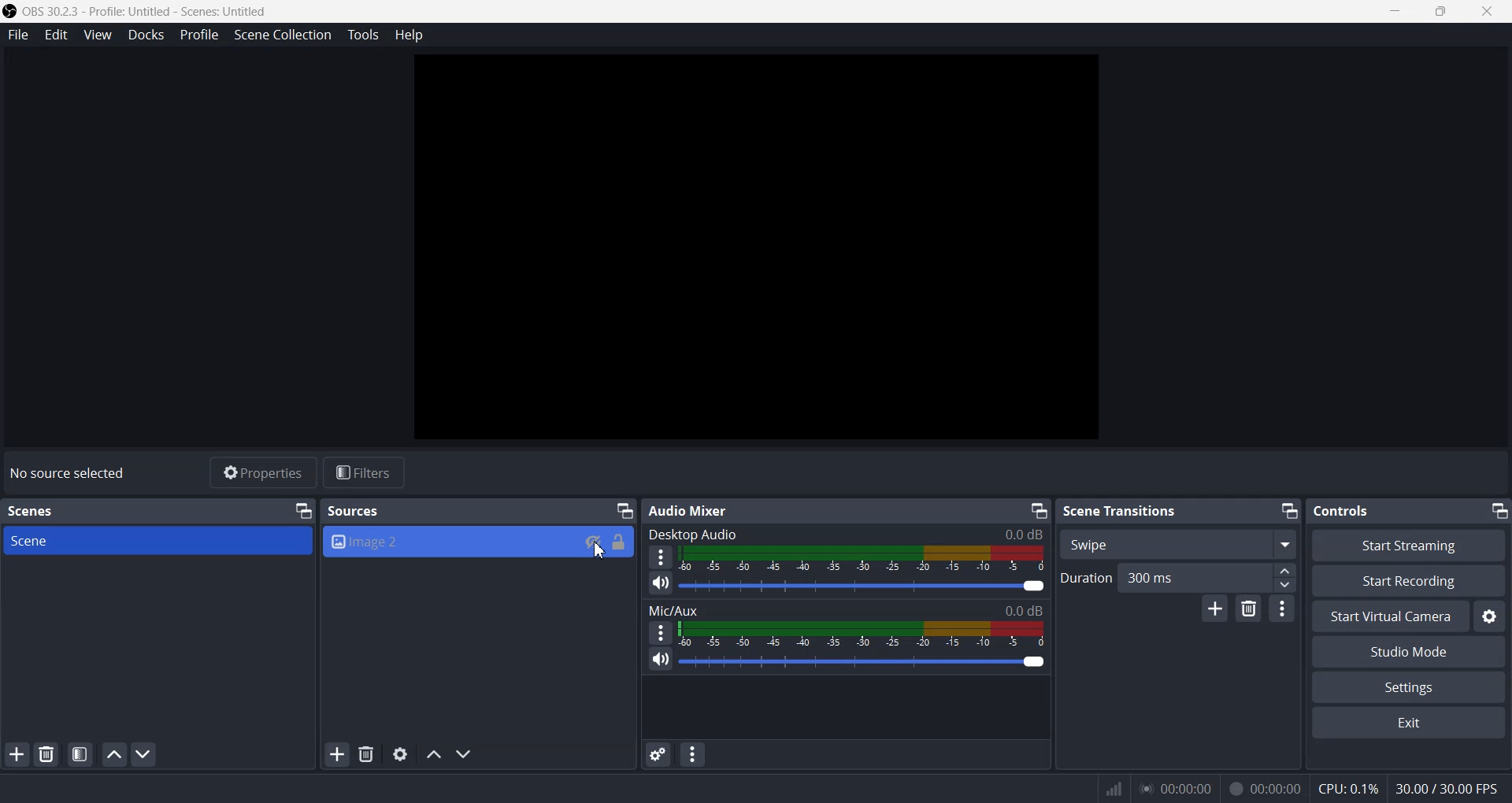 The image size is (1512, 803). What do you see at coordinates (46, 753) in the screenshot?
I see `Remove Selected scene` at bounding box center [46, 753].